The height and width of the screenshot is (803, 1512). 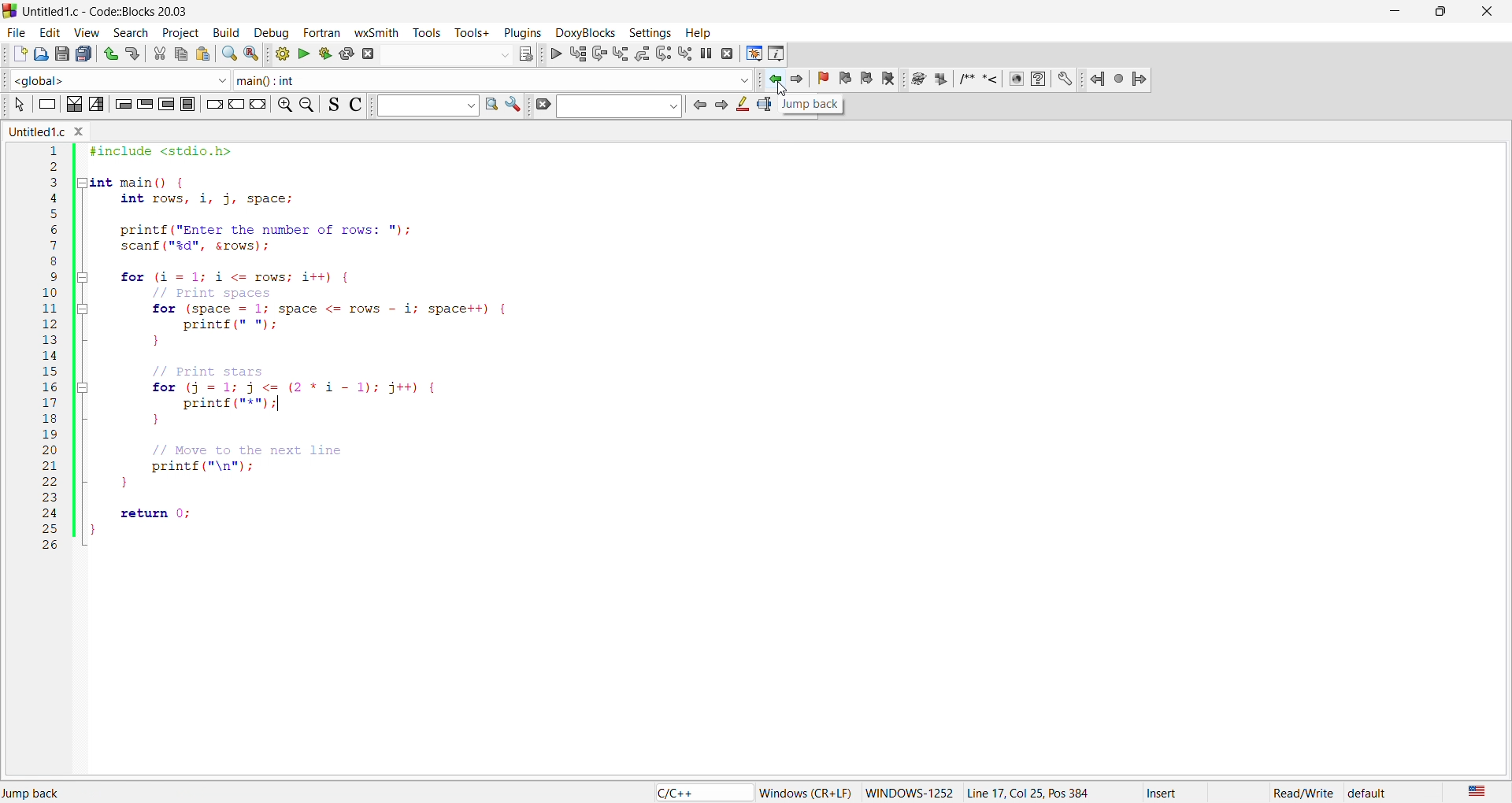 I want to click on docxy blocks, so click(x=985, y=77).